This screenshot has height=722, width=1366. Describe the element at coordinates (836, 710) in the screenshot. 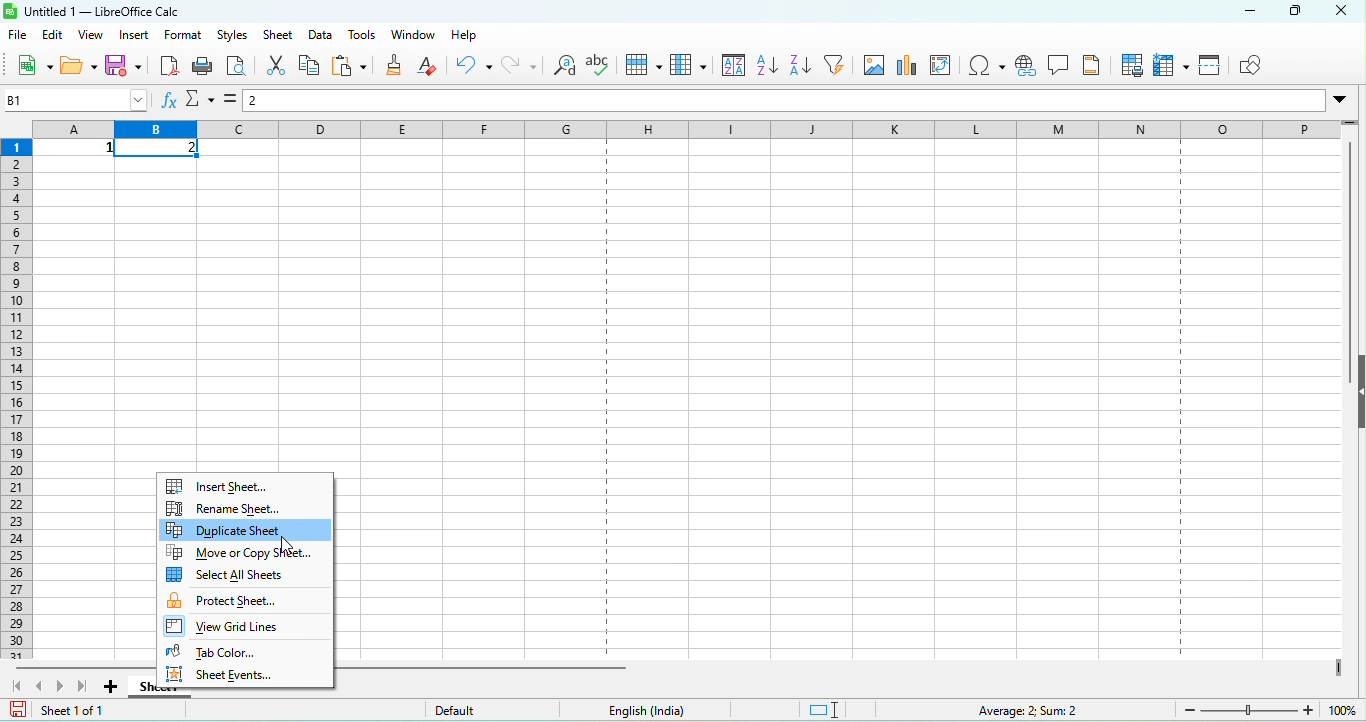

I see `standard selection` at that location.